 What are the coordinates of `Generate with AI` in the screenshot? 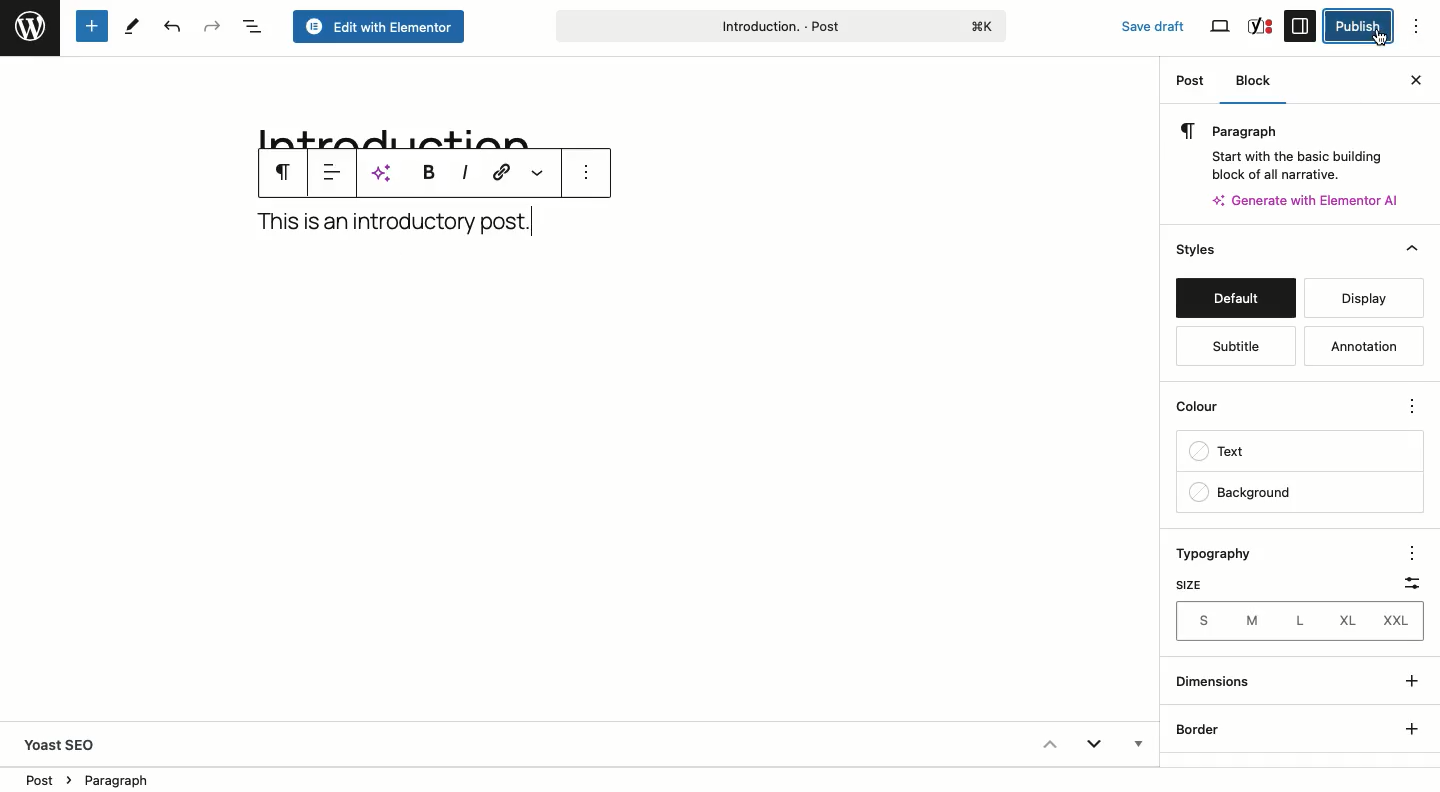 It's located at (1314, 199).